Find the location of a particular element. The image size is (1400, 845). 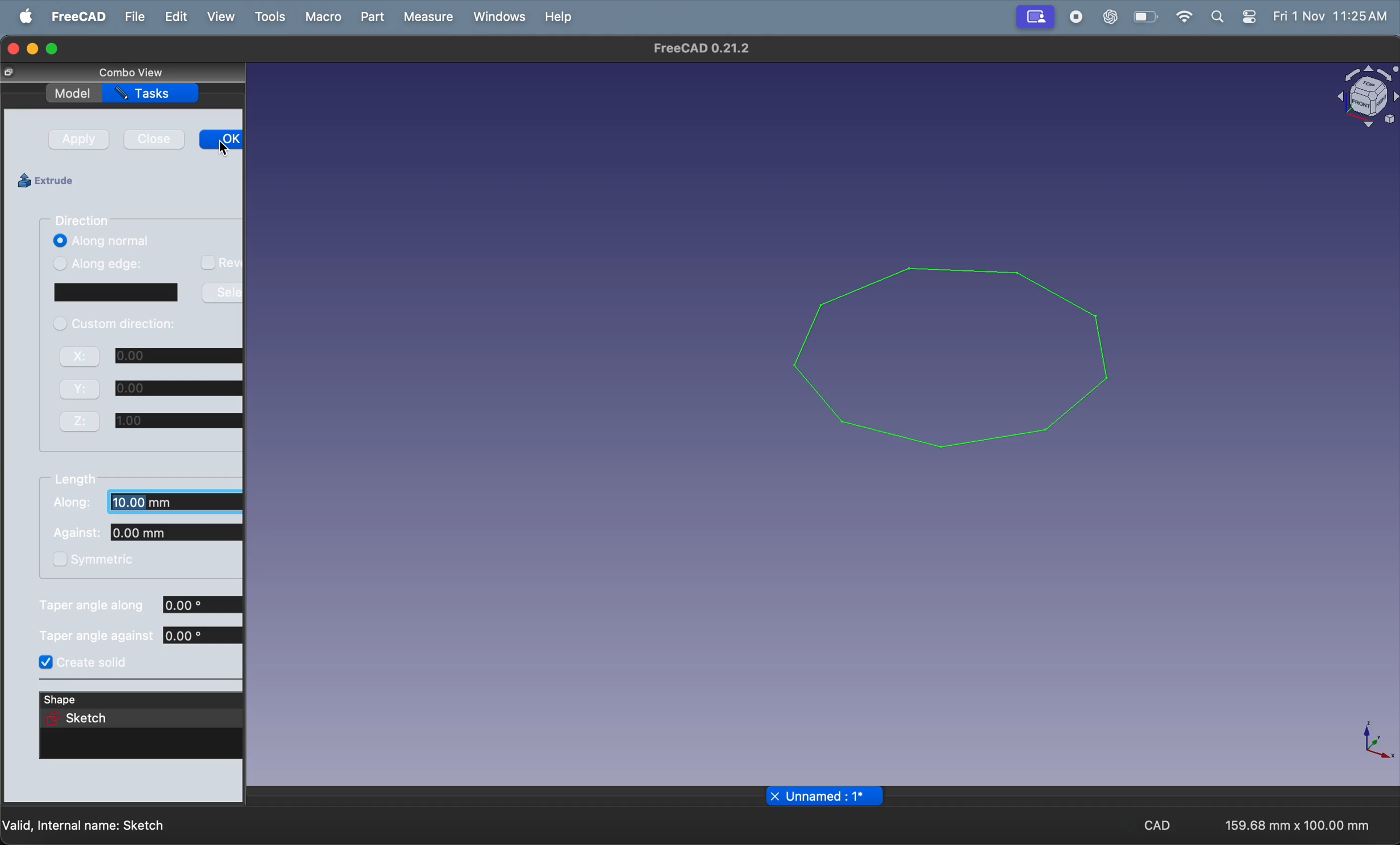

help is located at coordinates (559, 16).